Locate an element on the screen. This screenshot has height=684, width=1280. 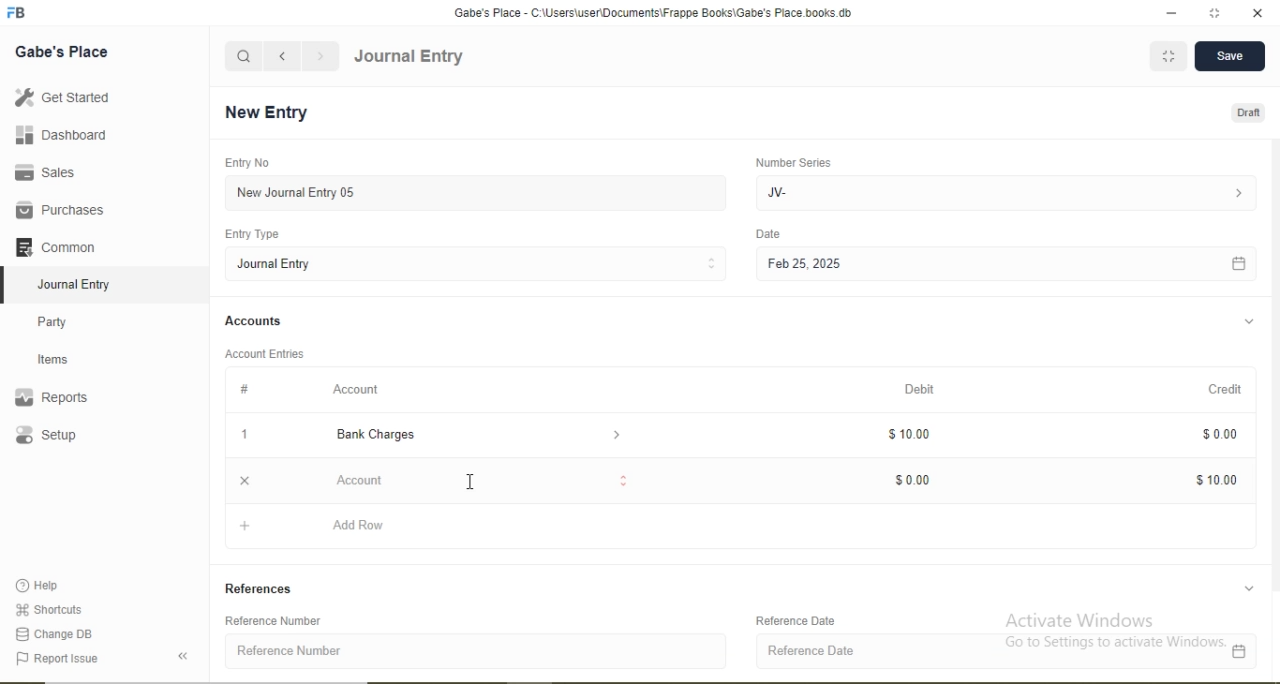
logo is located at coordinates (18, 13).